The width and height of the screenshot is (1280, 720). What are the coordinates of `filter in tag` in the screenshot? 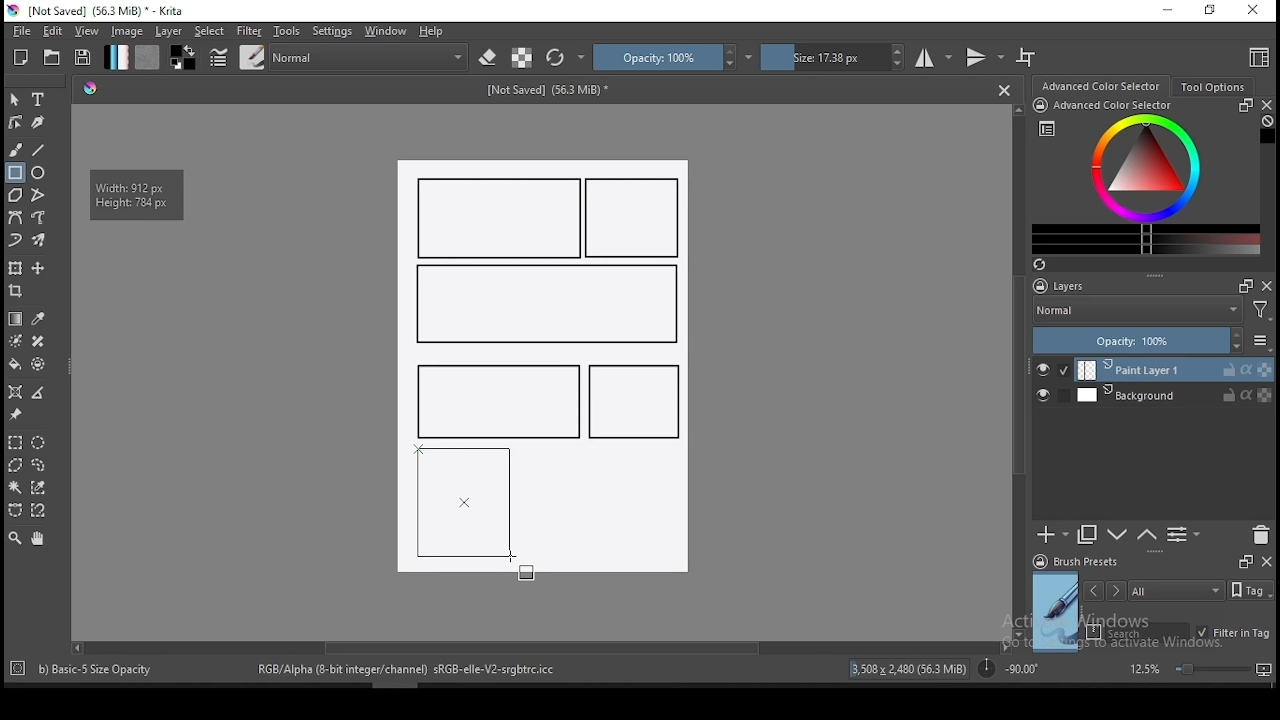 It's located at (1233, 634).